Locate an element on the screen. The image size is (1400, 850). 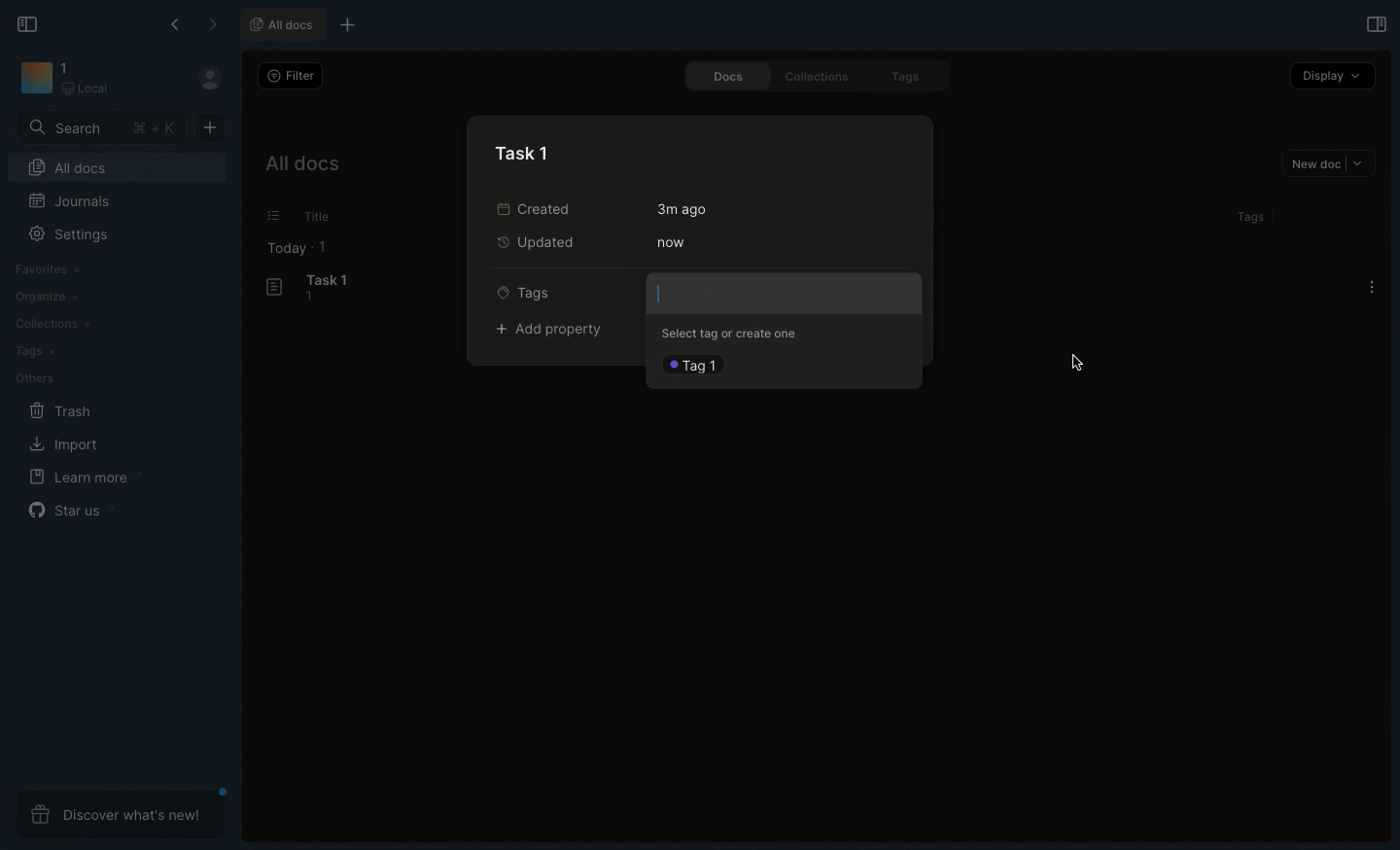
Star us is located at coordinates (68, 509).